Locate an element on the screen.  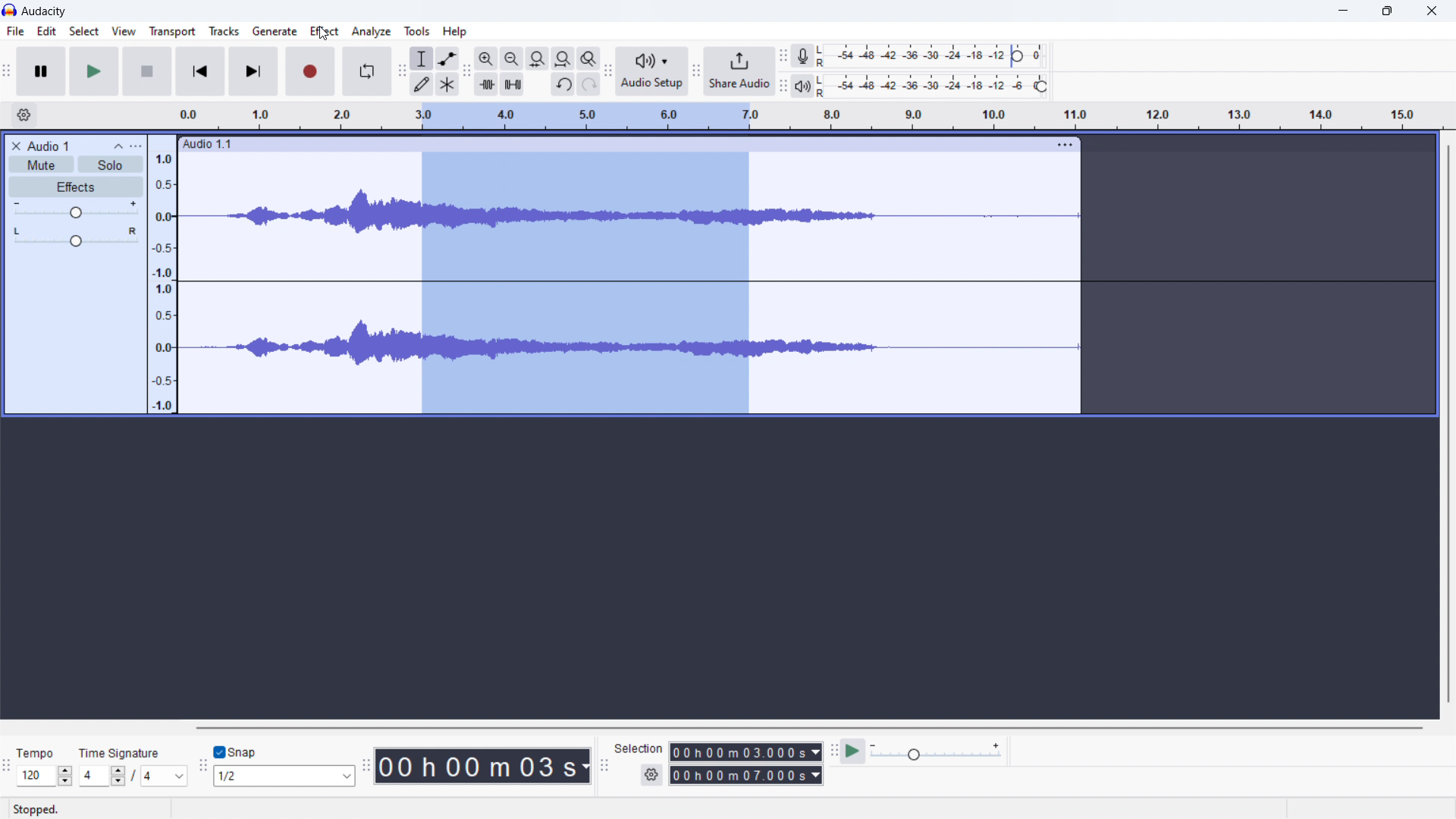
pan: centre is located at coordinates (76, 240).